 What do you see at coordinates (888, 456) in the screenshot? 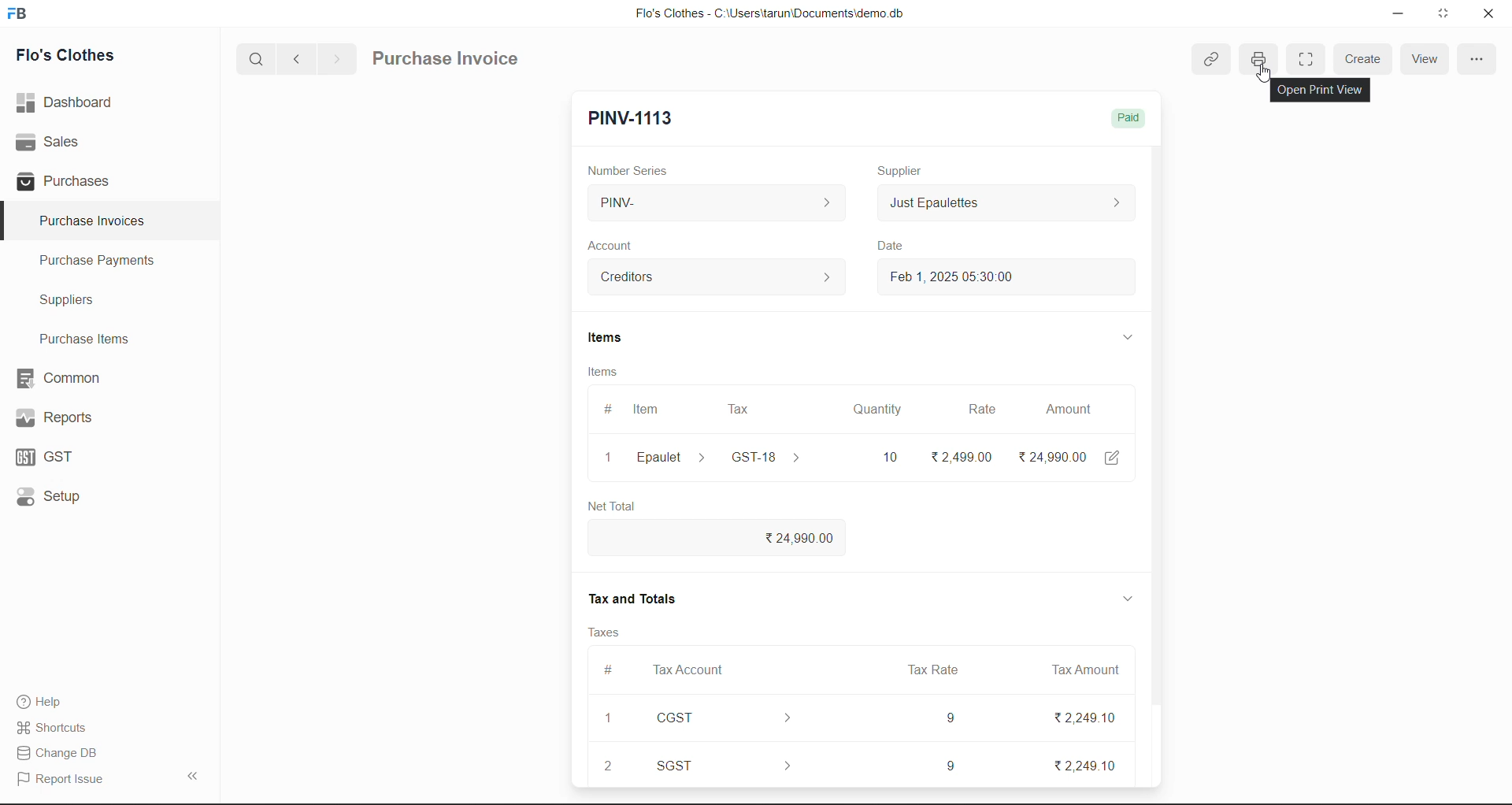
I see `10` at bounding box center [888, 456].